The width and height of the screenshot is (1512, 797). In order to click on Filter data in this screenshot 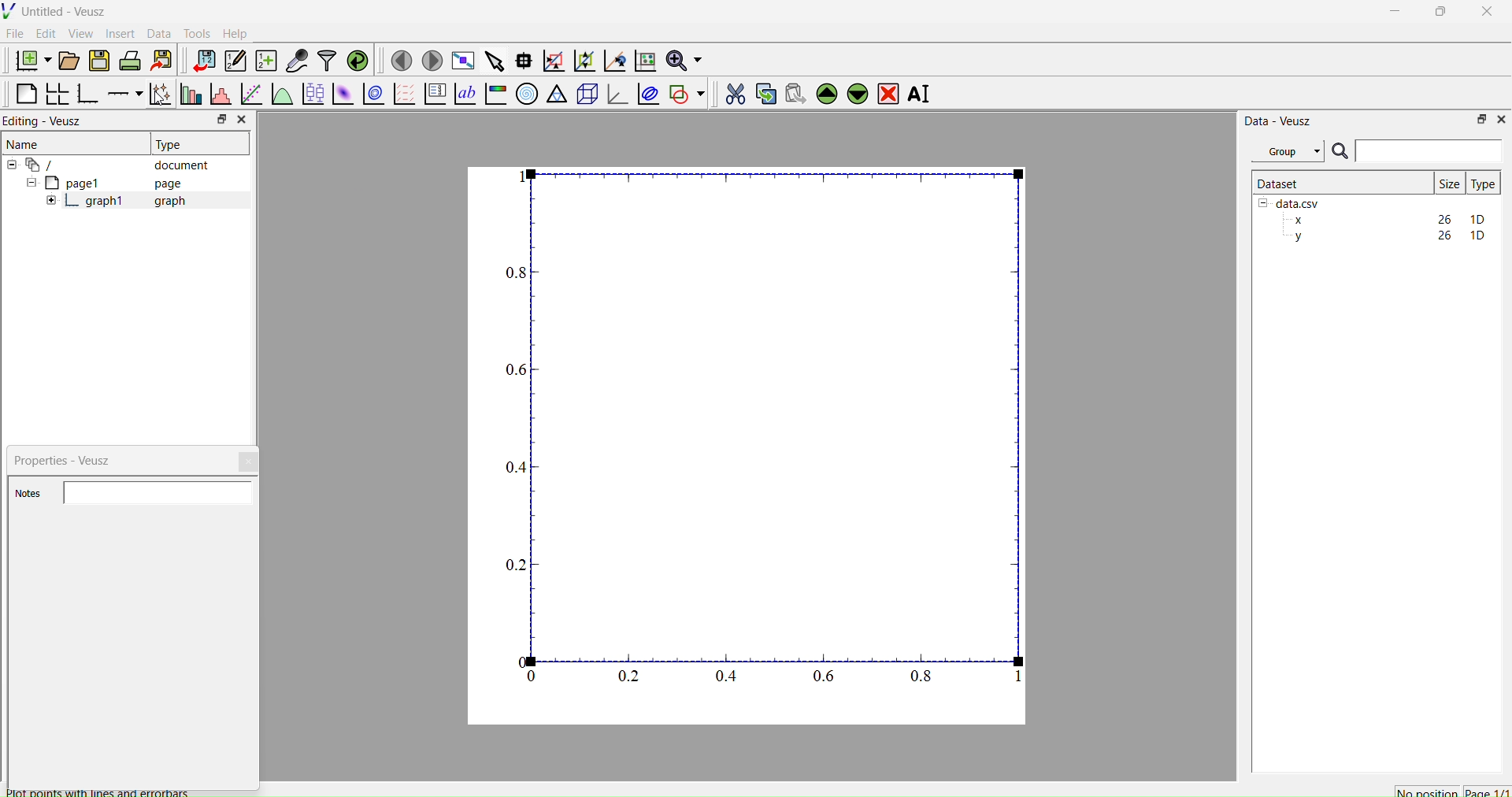, I will do `click(326, 60)`.